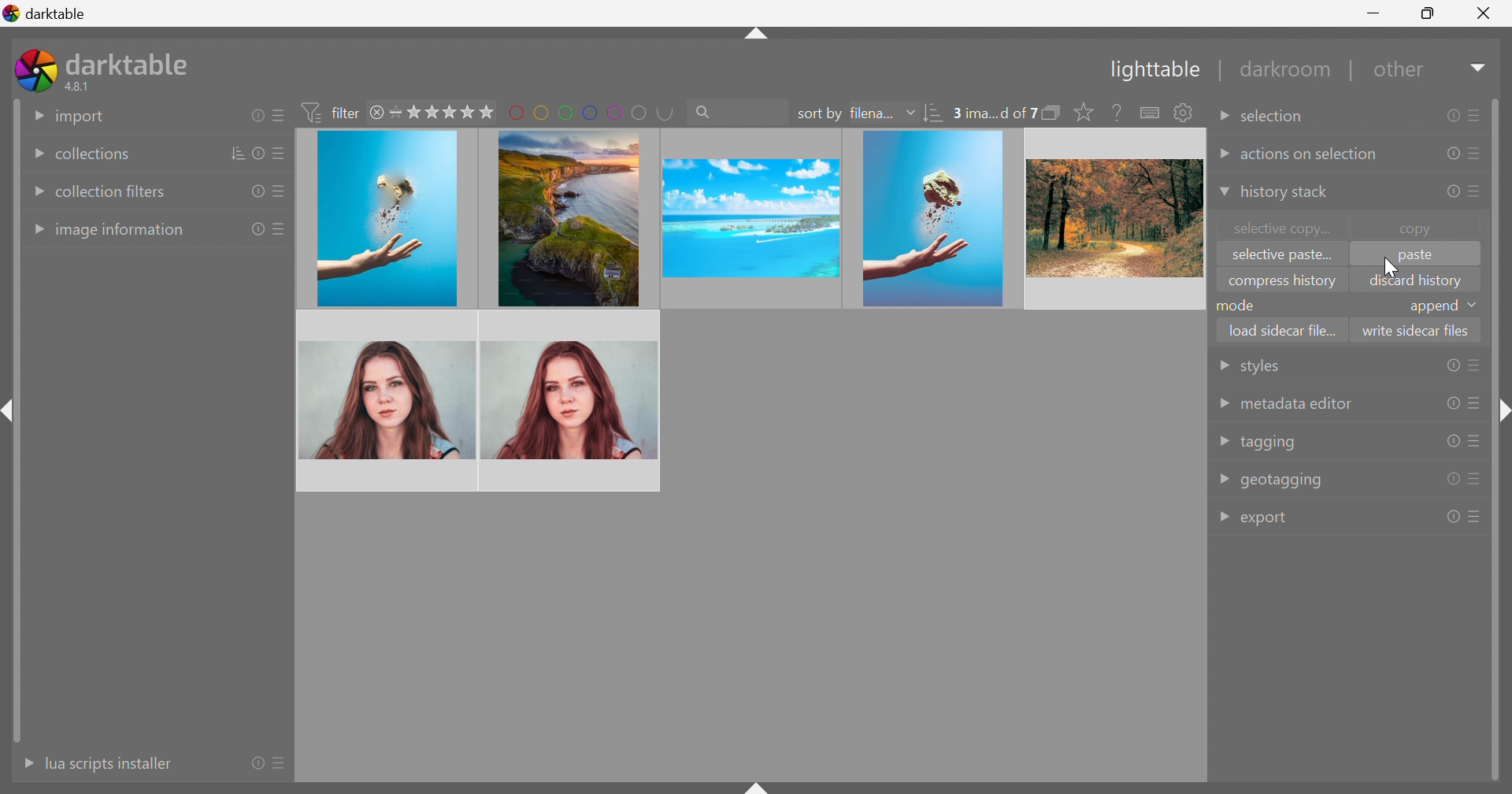  What do you see at coordinates (334, 112) in the screenshot?
I see `filter` at bounding box center [334, 112].